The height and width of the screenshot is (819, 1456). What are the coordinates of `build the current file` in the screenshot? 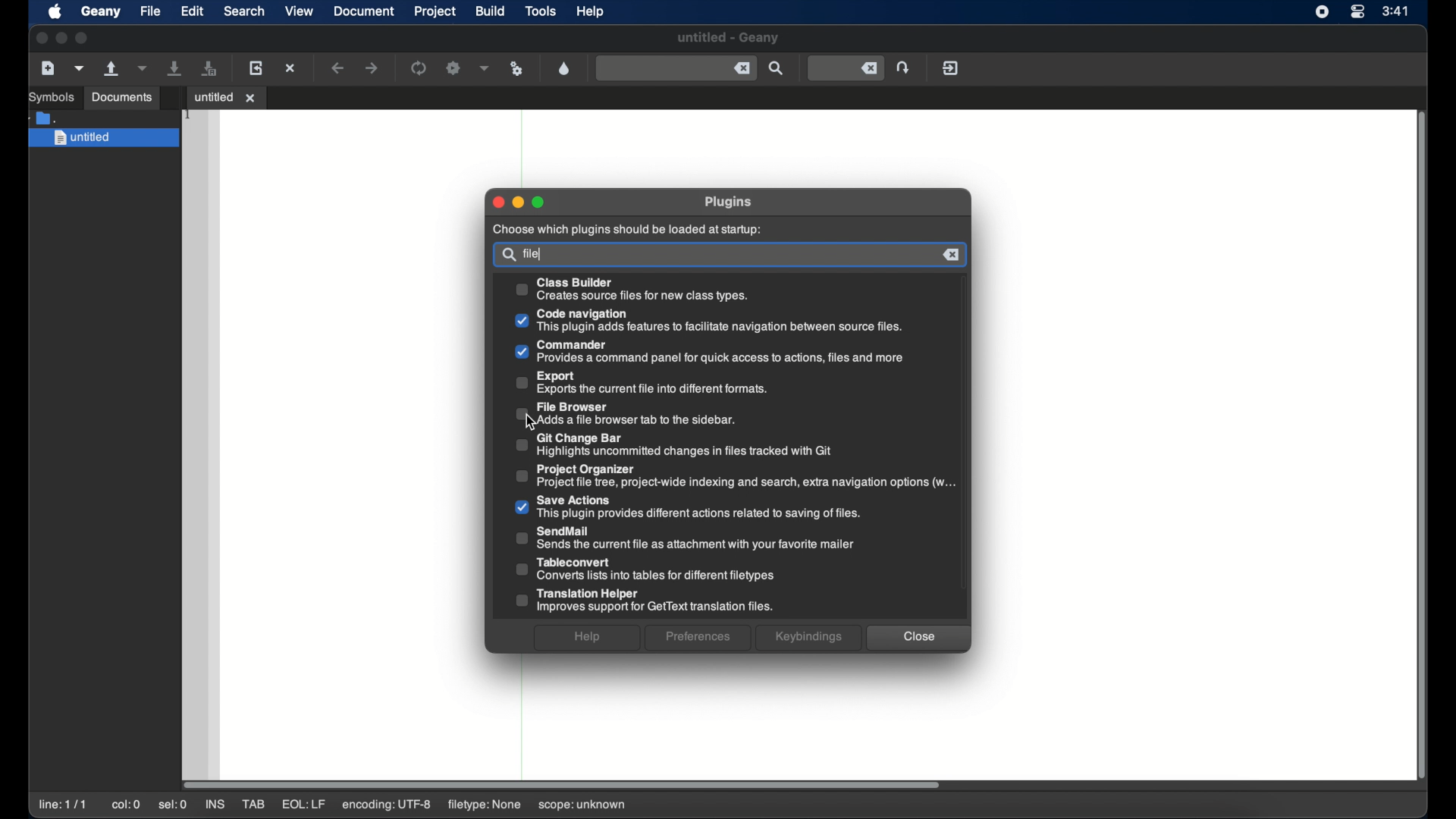 It's located at (453, 69).